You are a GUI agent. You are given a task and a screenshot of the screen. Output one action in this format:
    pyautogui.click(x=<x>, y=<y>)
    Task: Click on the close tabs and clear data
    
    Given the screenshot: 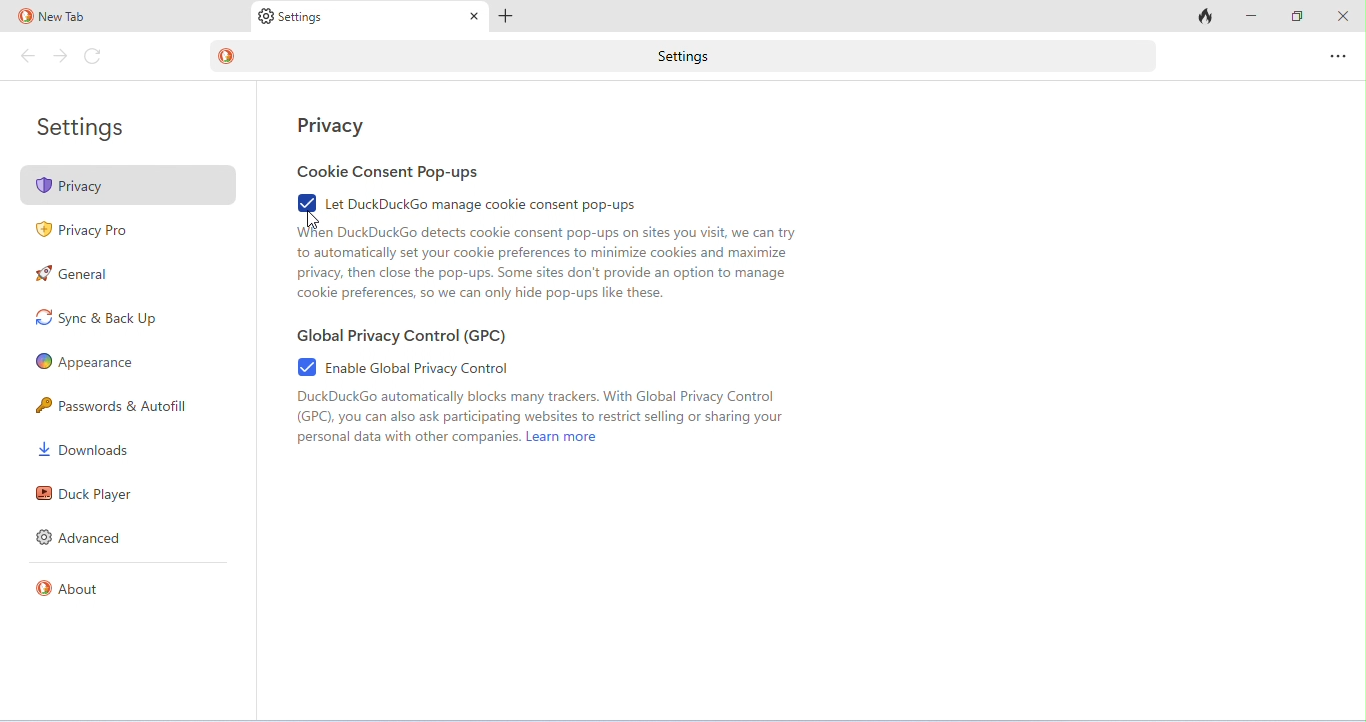 What is the action you would take?
    pyautogui.click(x=1202, y=17)
    